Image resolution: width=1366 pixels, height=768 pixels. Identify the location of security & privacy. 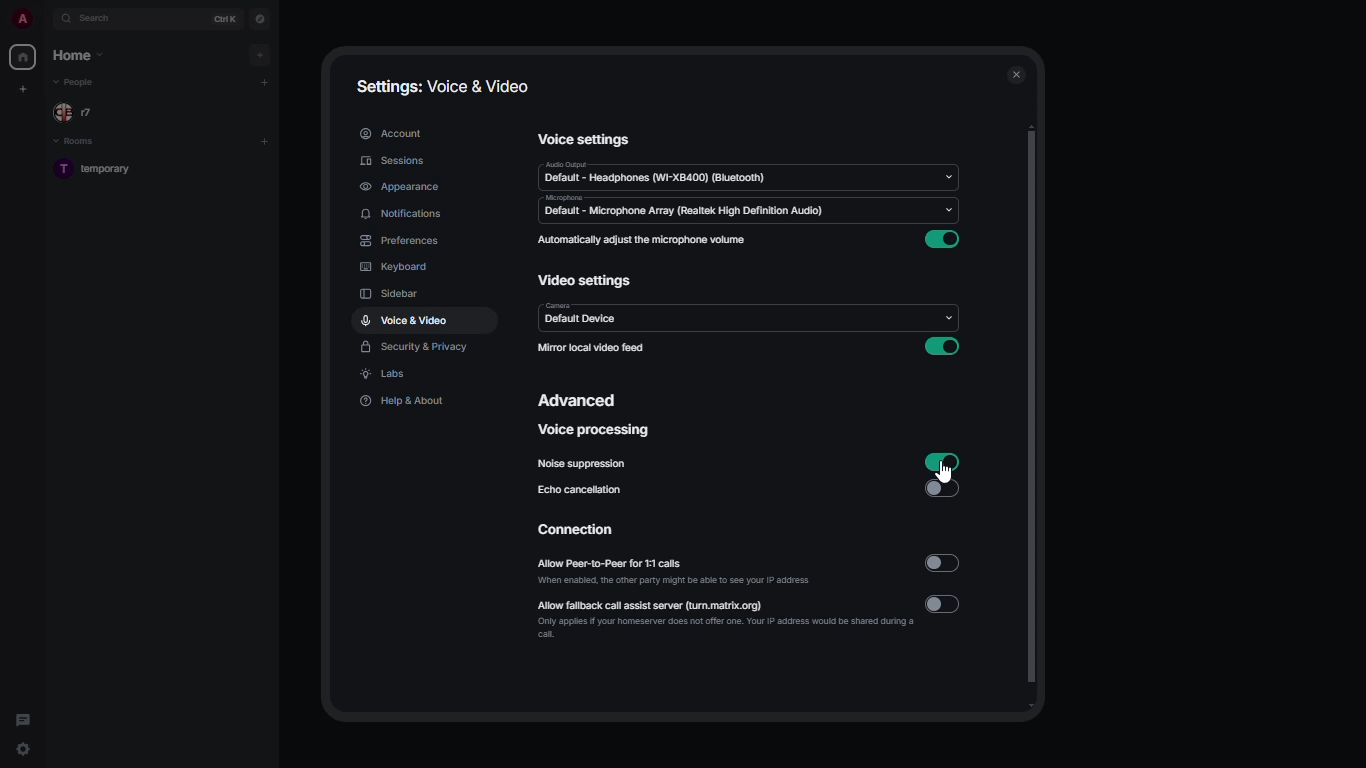
(418, 350).